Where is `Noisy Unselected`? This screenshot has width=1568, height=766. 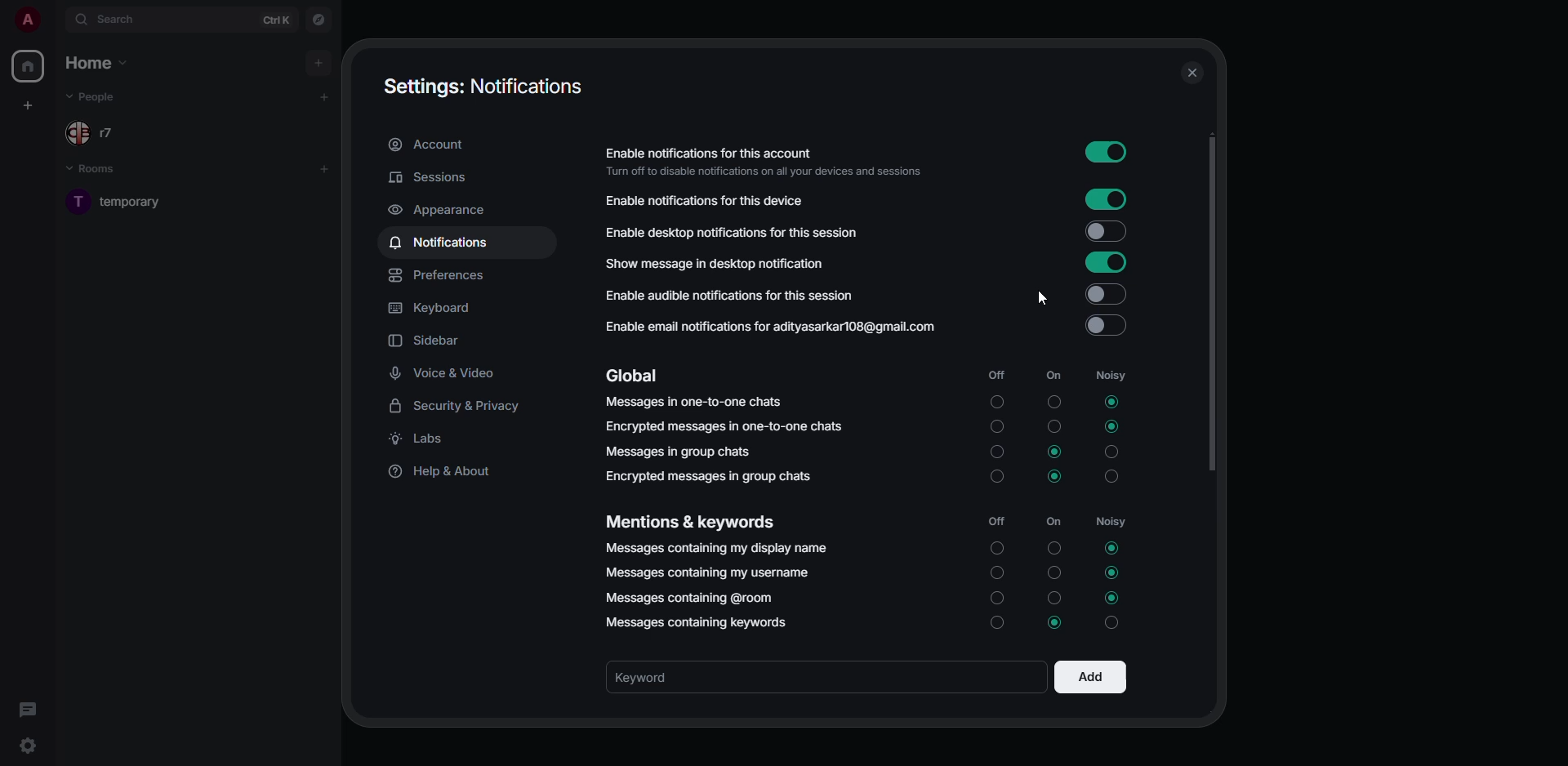
Noisy Unselected is located at coordinates (1113, 476).